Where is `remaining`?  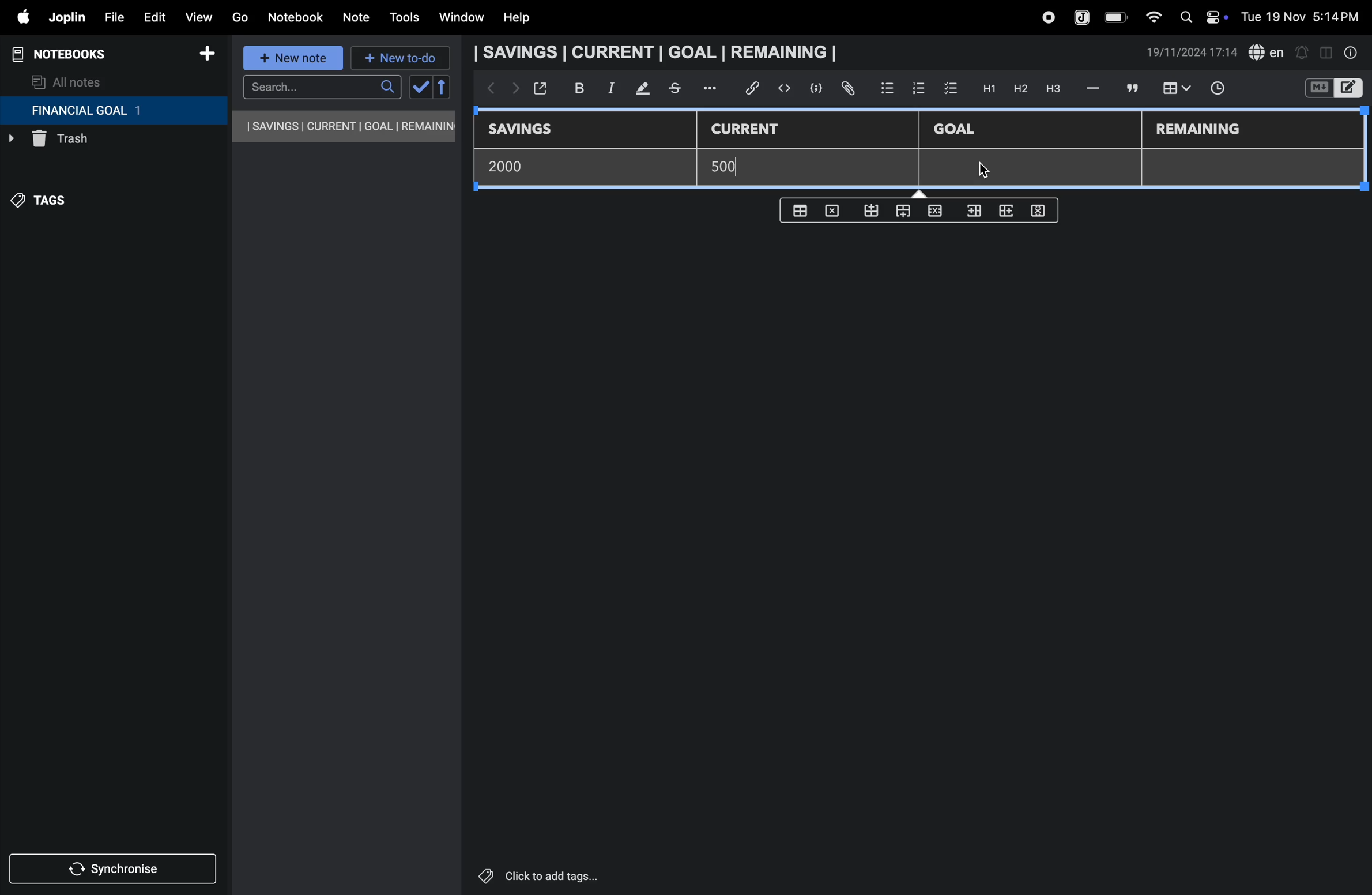
remaining is located at coordinates (1200, 130).